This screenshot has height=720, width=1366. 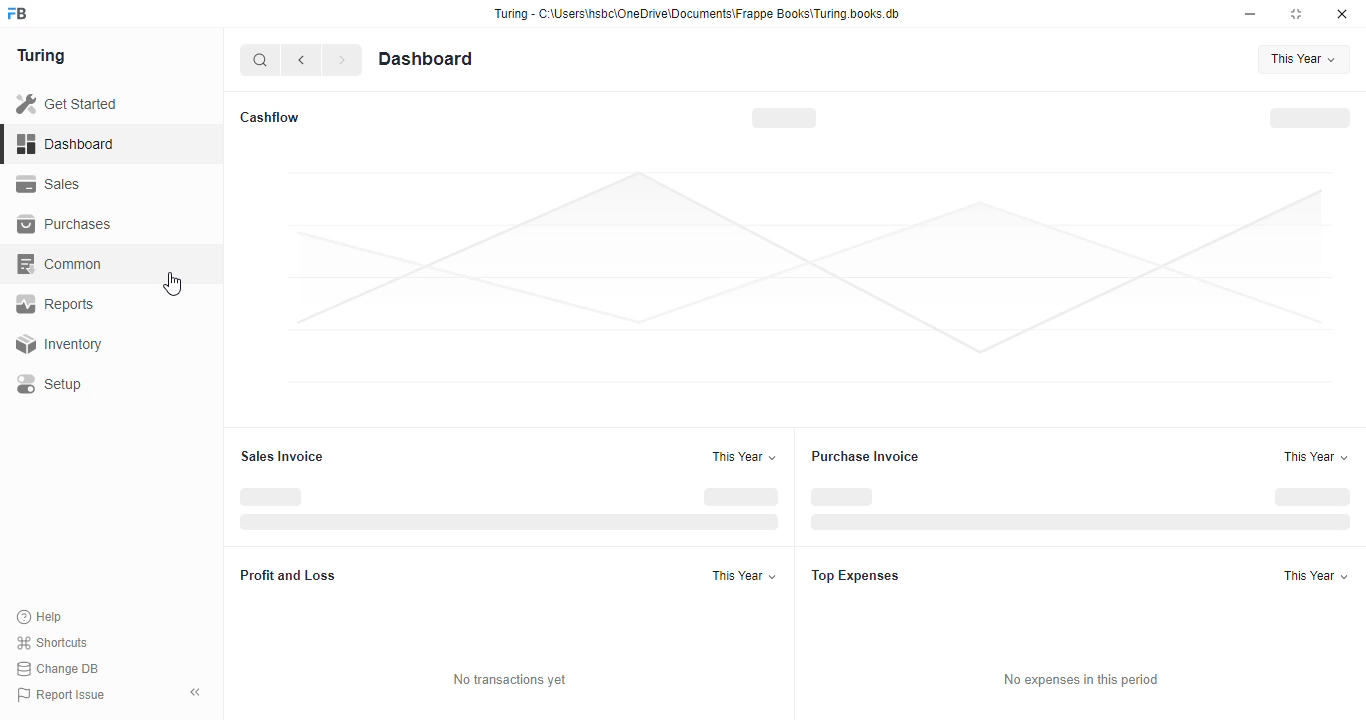 What do you see at coordinates (1315, 456) in the screenshot?
I see `this year` at bounding box center [1315, 456].